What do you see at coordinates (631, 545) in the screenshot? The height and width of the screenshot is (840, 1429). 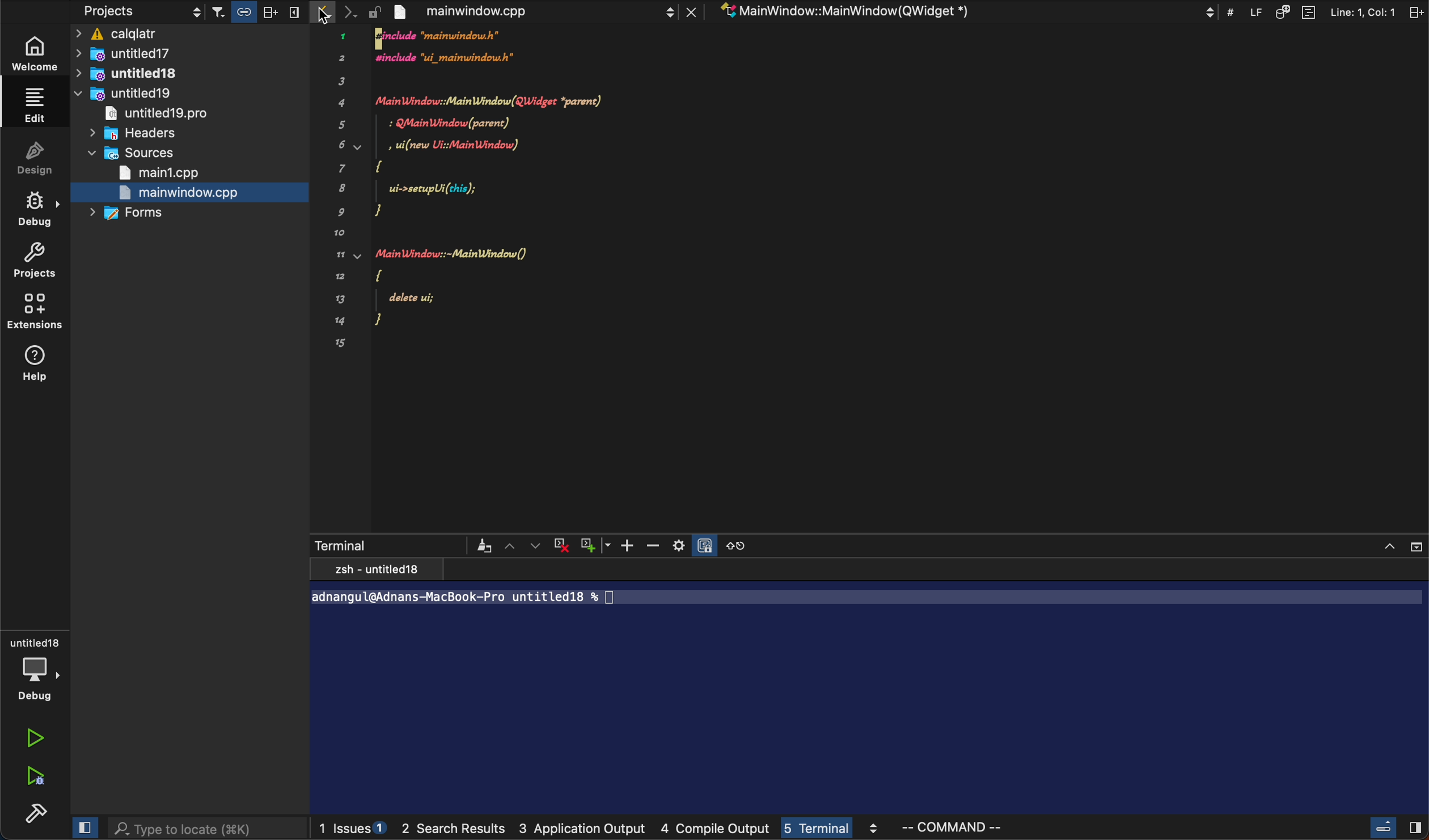 I see `zoom in` at bounding box center [631, 545].